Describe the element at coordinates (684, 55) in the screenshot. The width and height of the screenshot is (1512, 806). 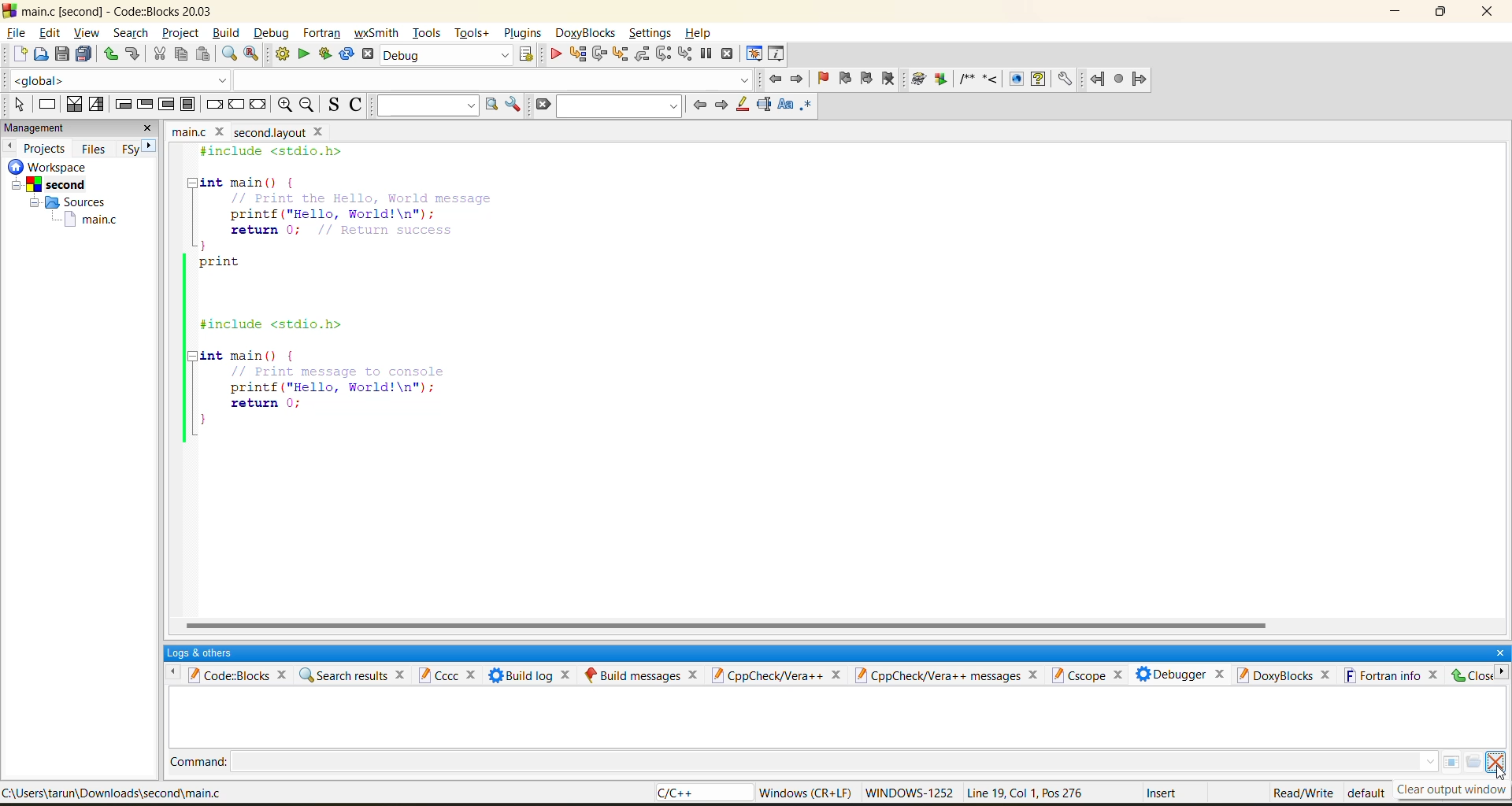
I see `step into instruction` at that location.